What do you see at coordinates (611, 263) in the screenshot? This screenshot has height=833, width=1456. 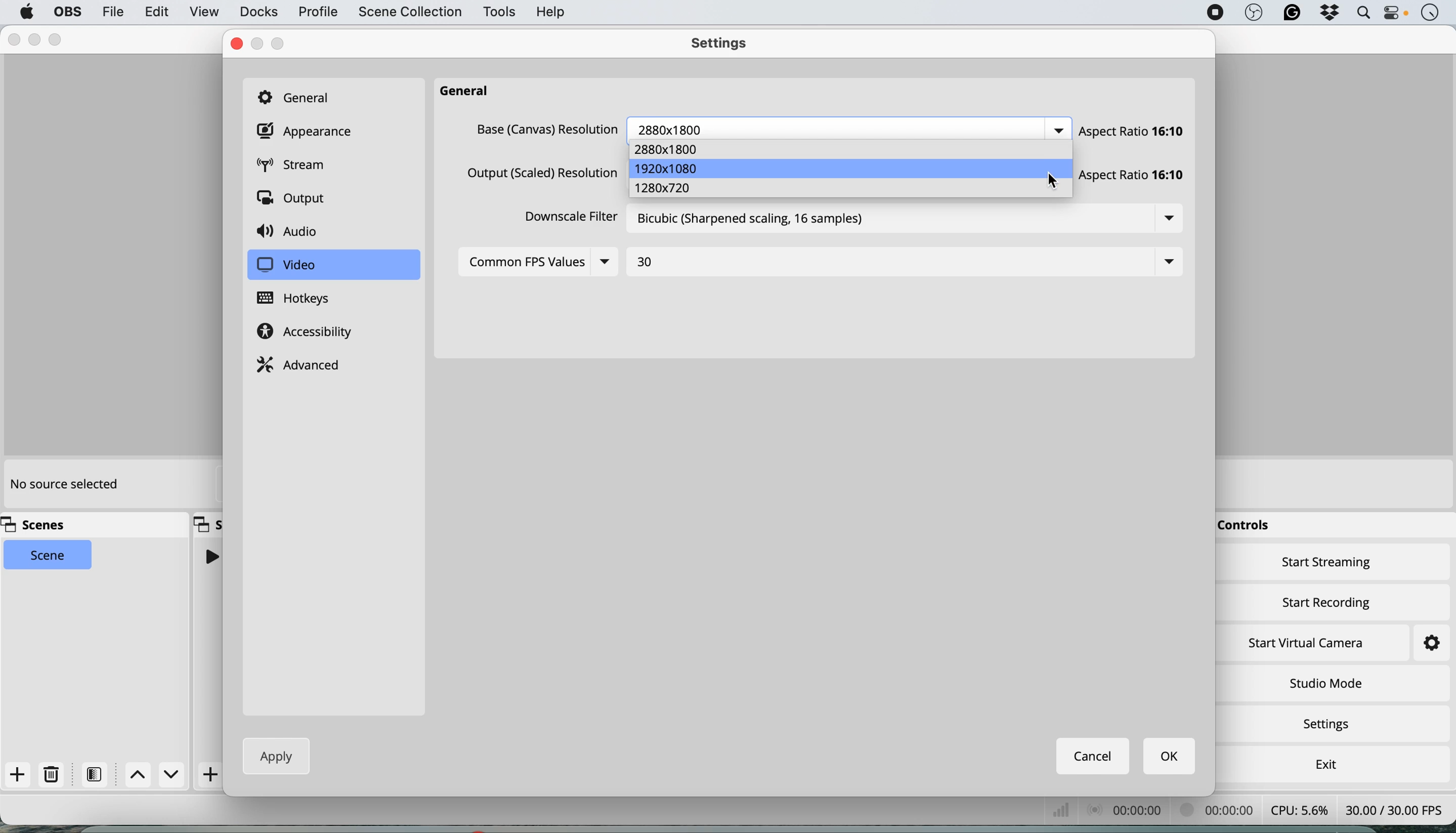 I see `list` at bounding box center [611, 263].